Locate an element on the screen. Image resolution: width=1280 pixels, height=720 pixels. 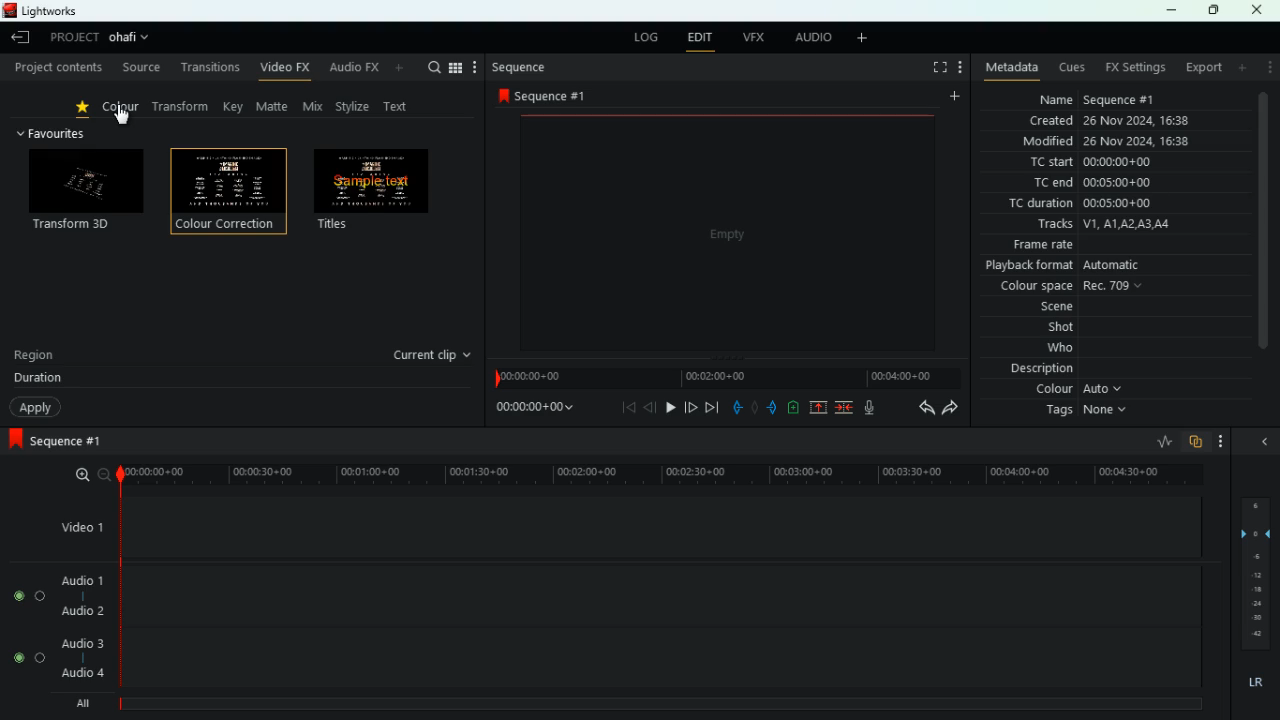
matte is located at coordinates (274, 107).